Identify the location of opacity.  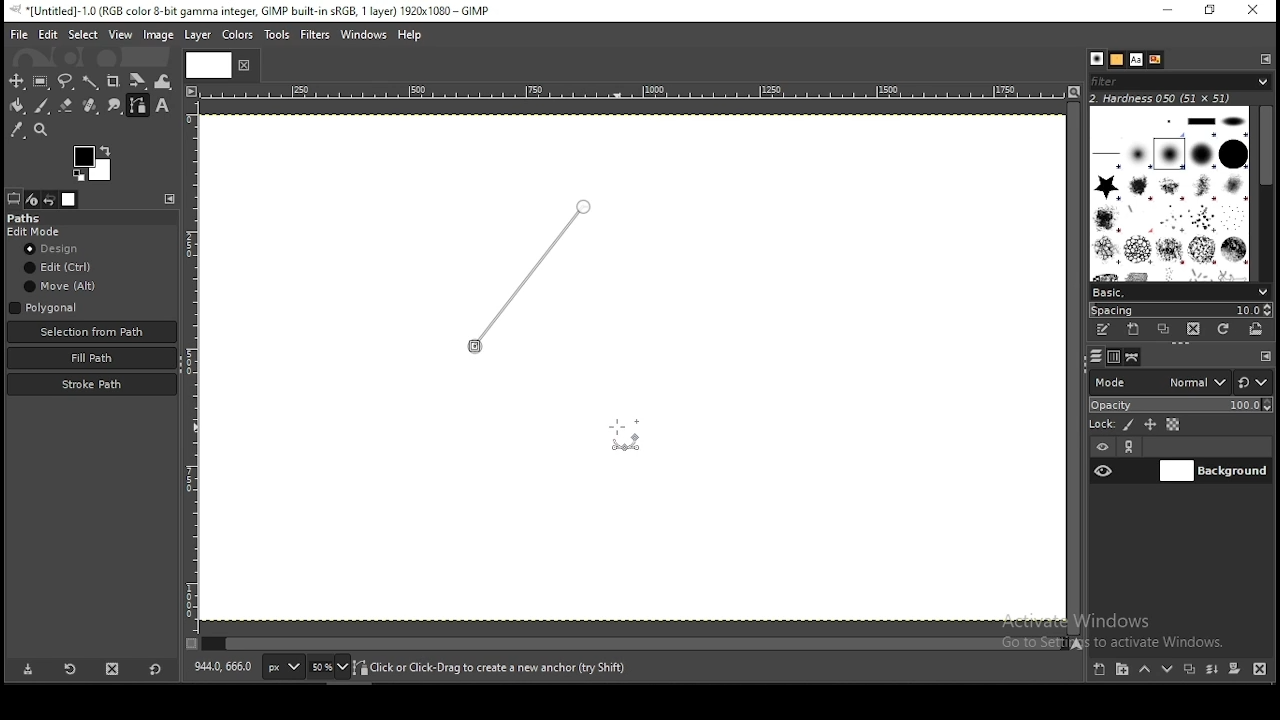
(1180, 406).